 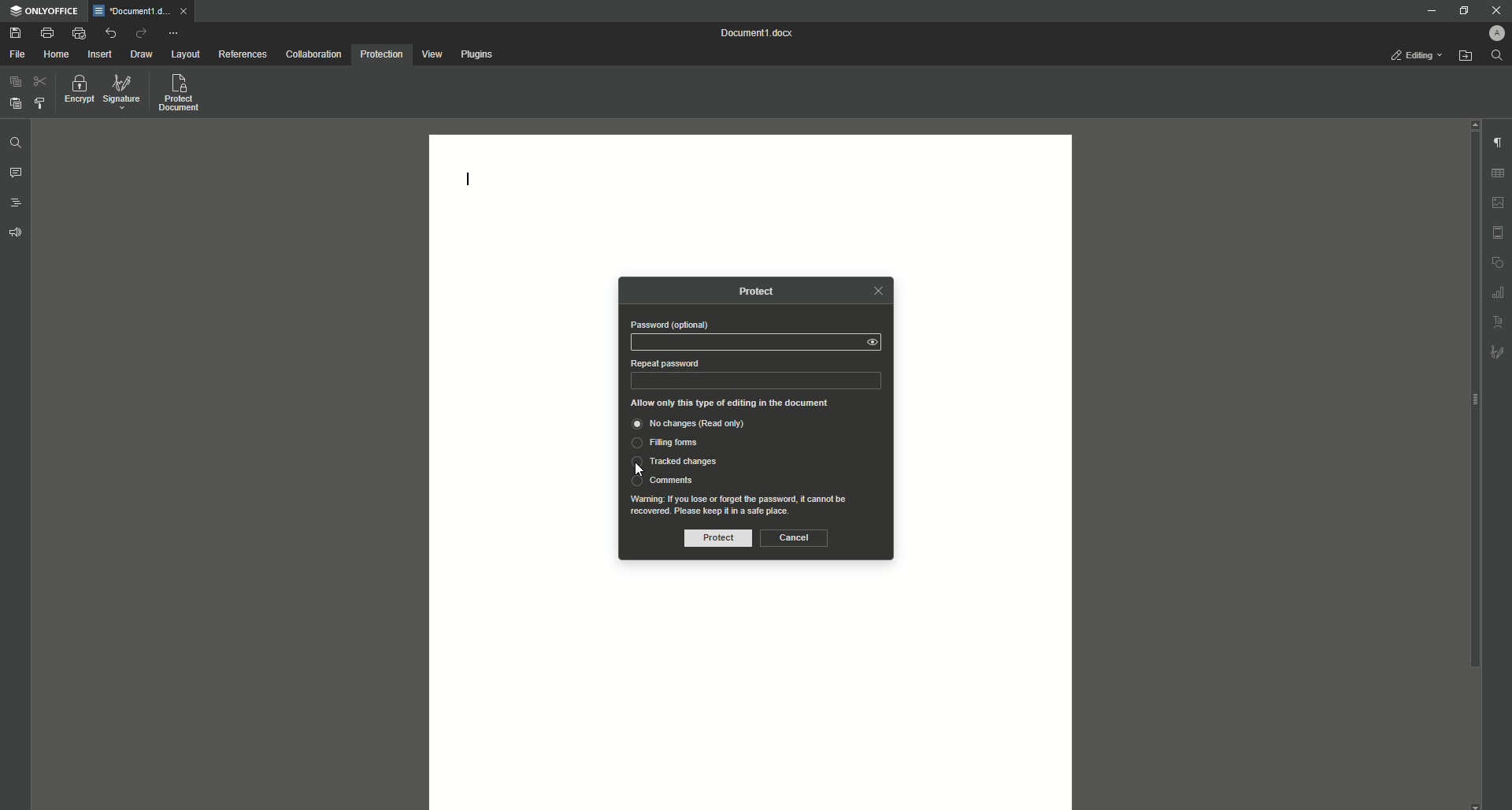 What do you see at coordinates (1472, 400) in the screenshot?
I see `scroll bar` at bounding box center [1472, 400].